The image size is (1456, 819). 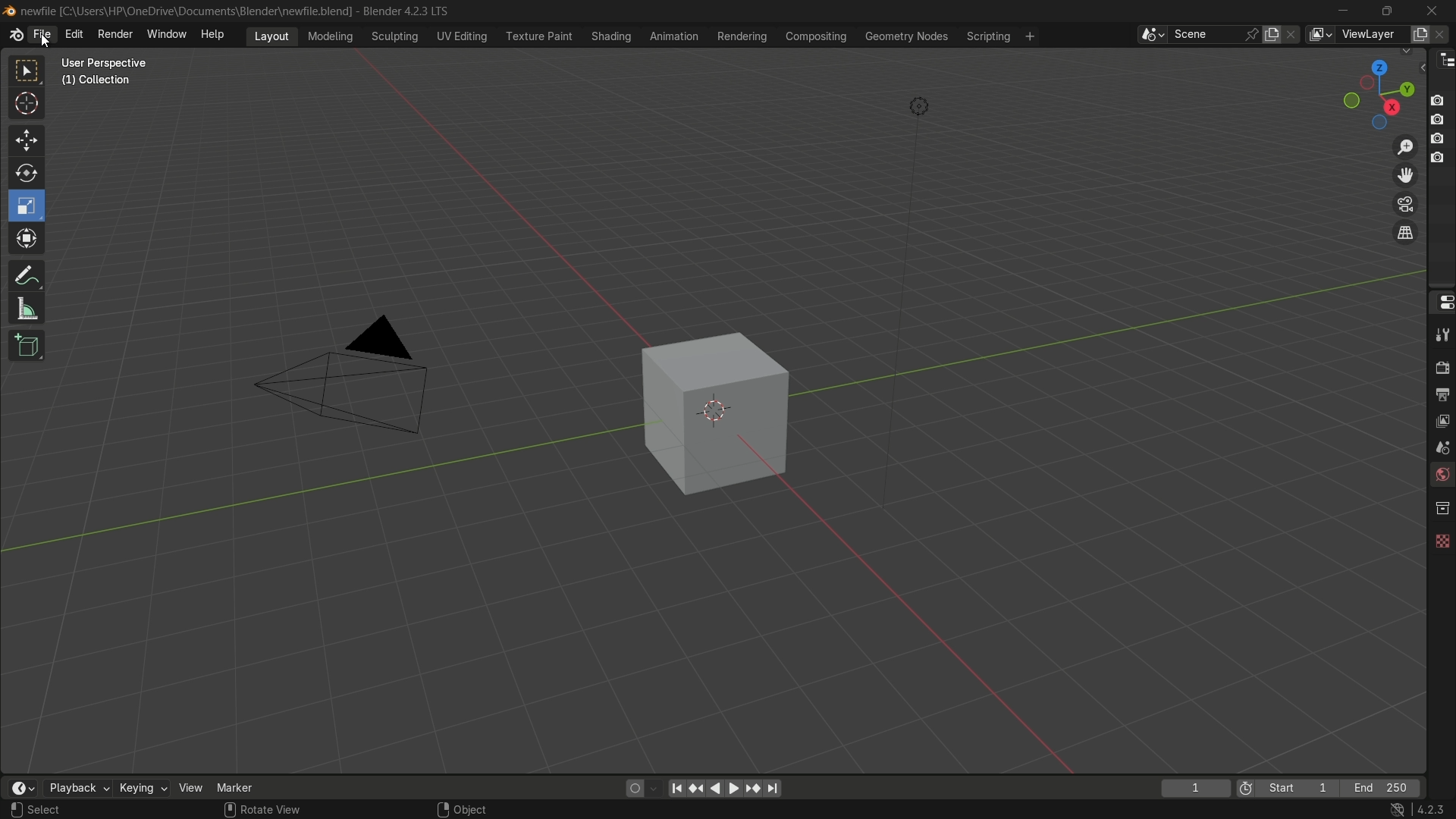 What do you see at coordinates (725, 788) in the screenshot?
I see `play animation` at bounding box center [725, 788].